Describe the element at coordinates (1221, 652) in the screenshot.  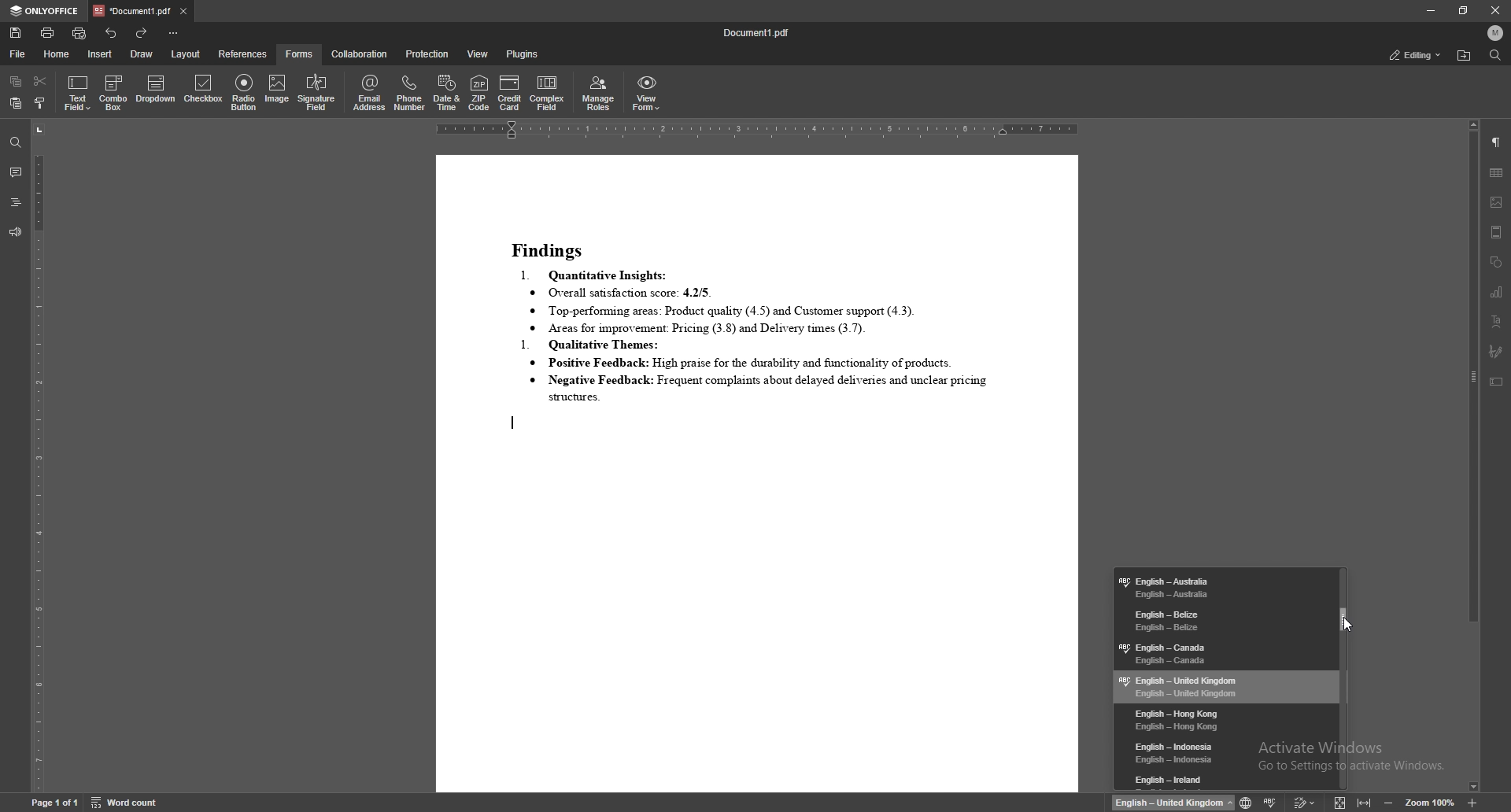
I see `language` at that location.